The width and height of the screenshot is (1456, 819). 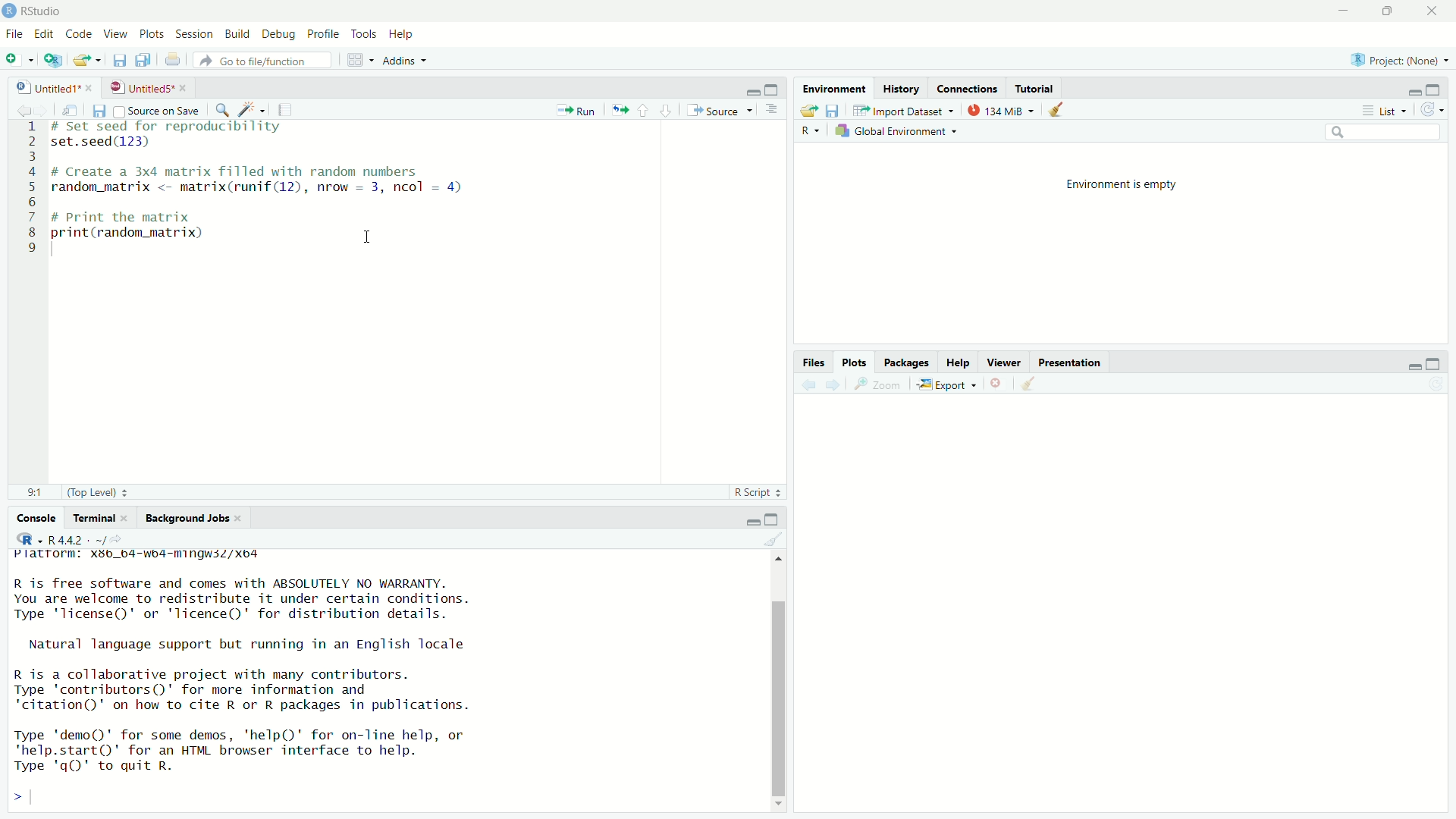 What do you see at coordinates (405, 36) in the screenshot?
I see `Help` at bounding box center [405, 36].